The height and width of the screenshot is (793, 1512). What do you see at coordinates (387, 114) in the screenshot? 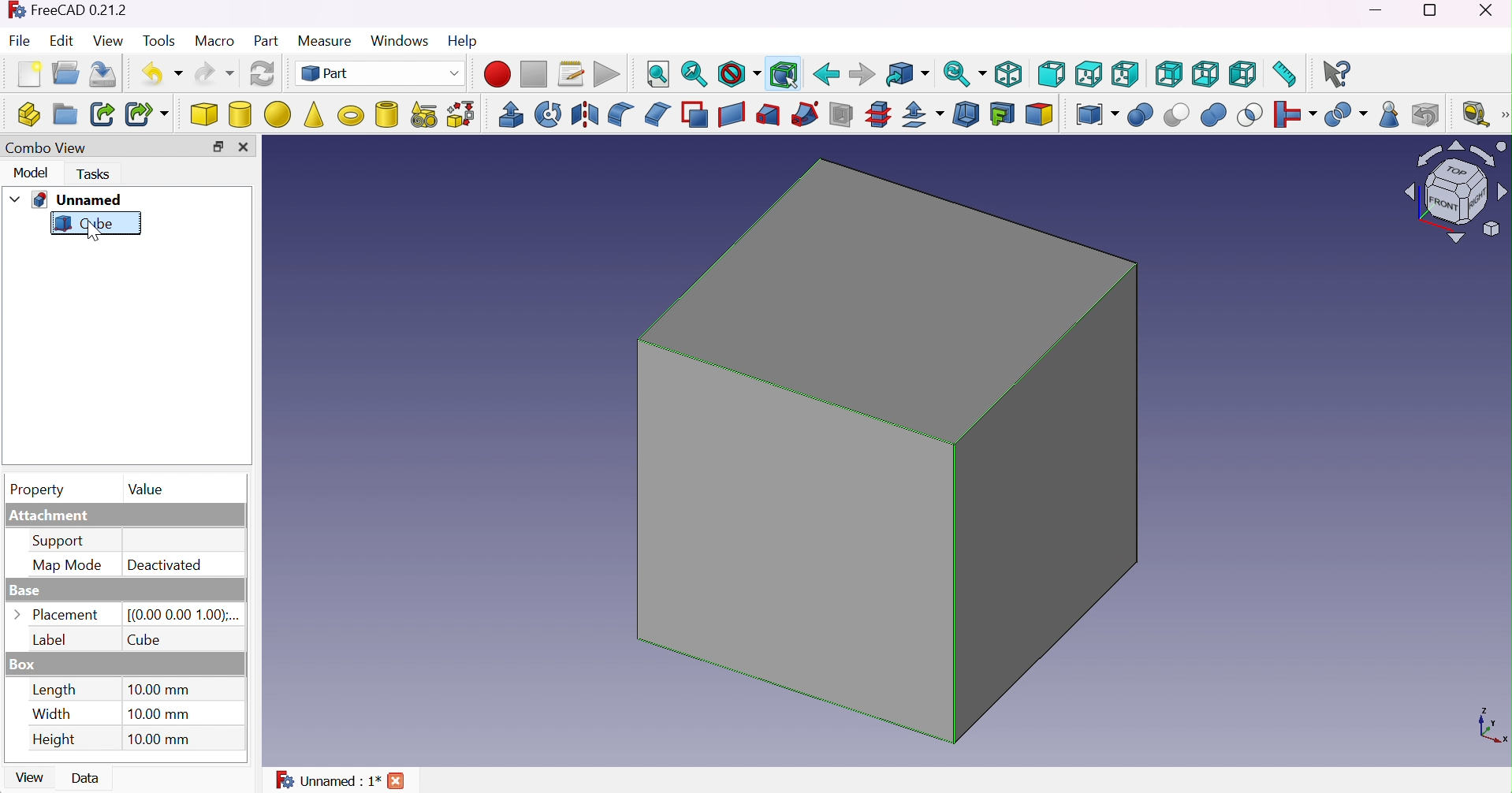
I see `Create tube` at bounding box center [387, 114].